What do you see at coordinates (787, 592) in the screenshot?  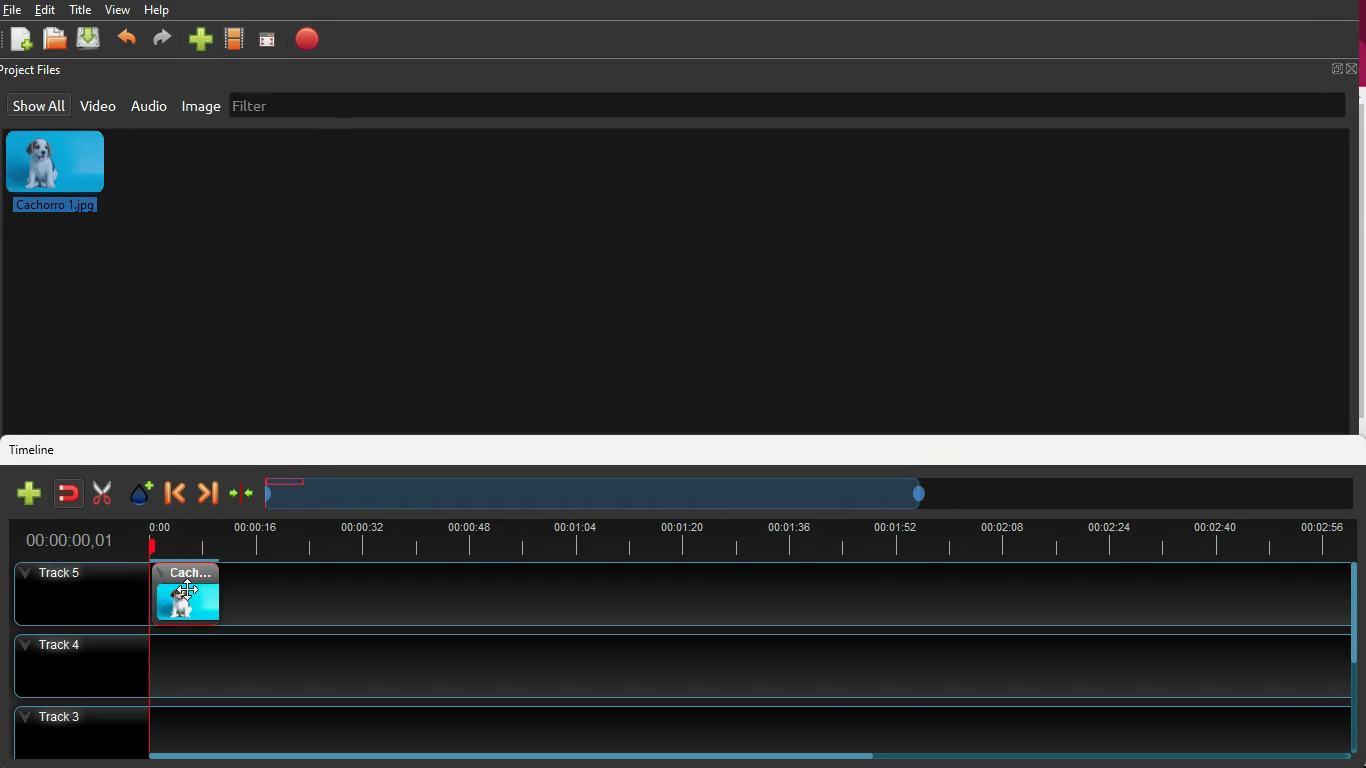 I see `track5` at bounding box center [787, 592].